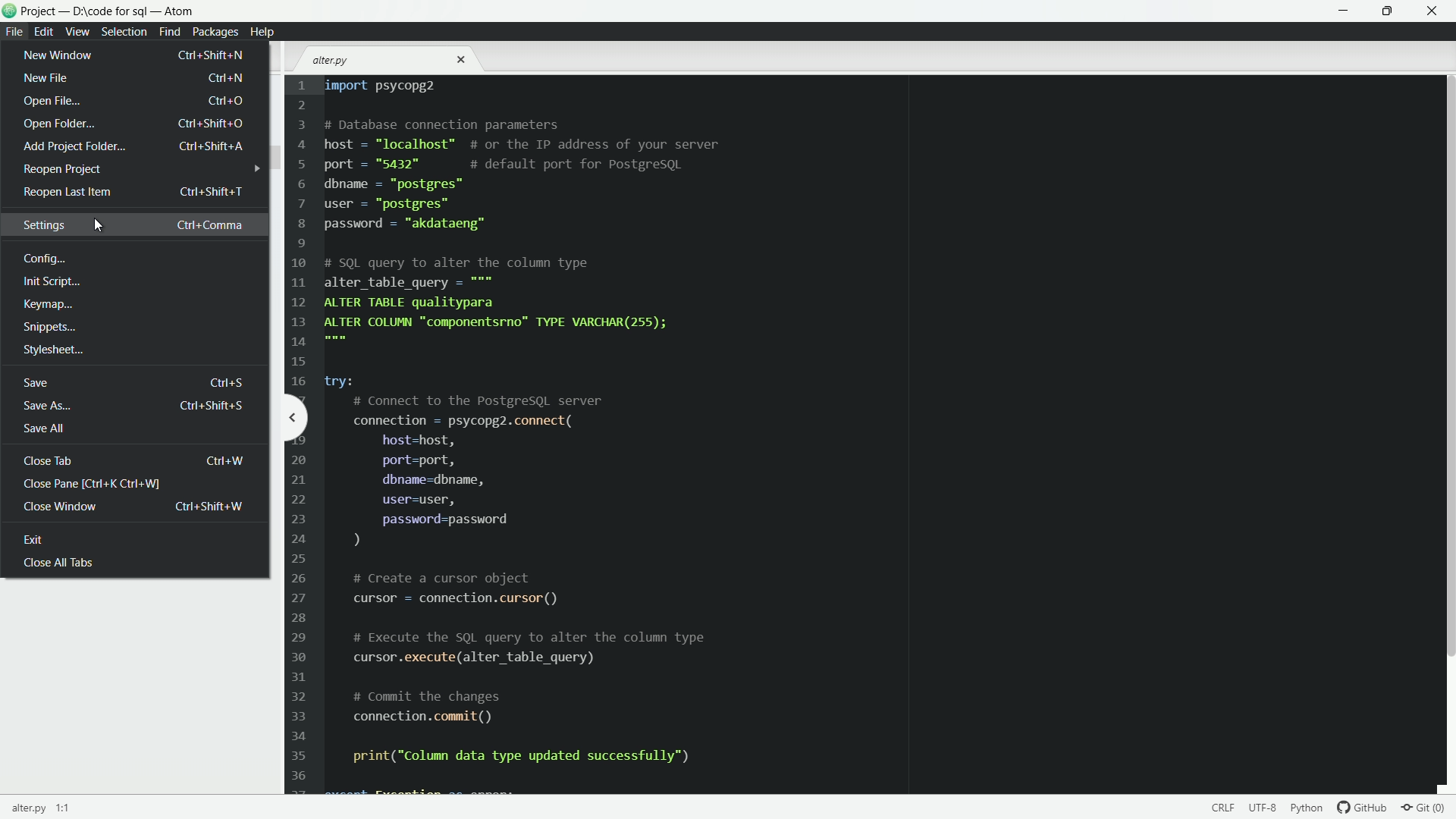  What do you see at coordinates (101, 229) in the screenshot?
I see `cursor` at bounding box center [101, 229].